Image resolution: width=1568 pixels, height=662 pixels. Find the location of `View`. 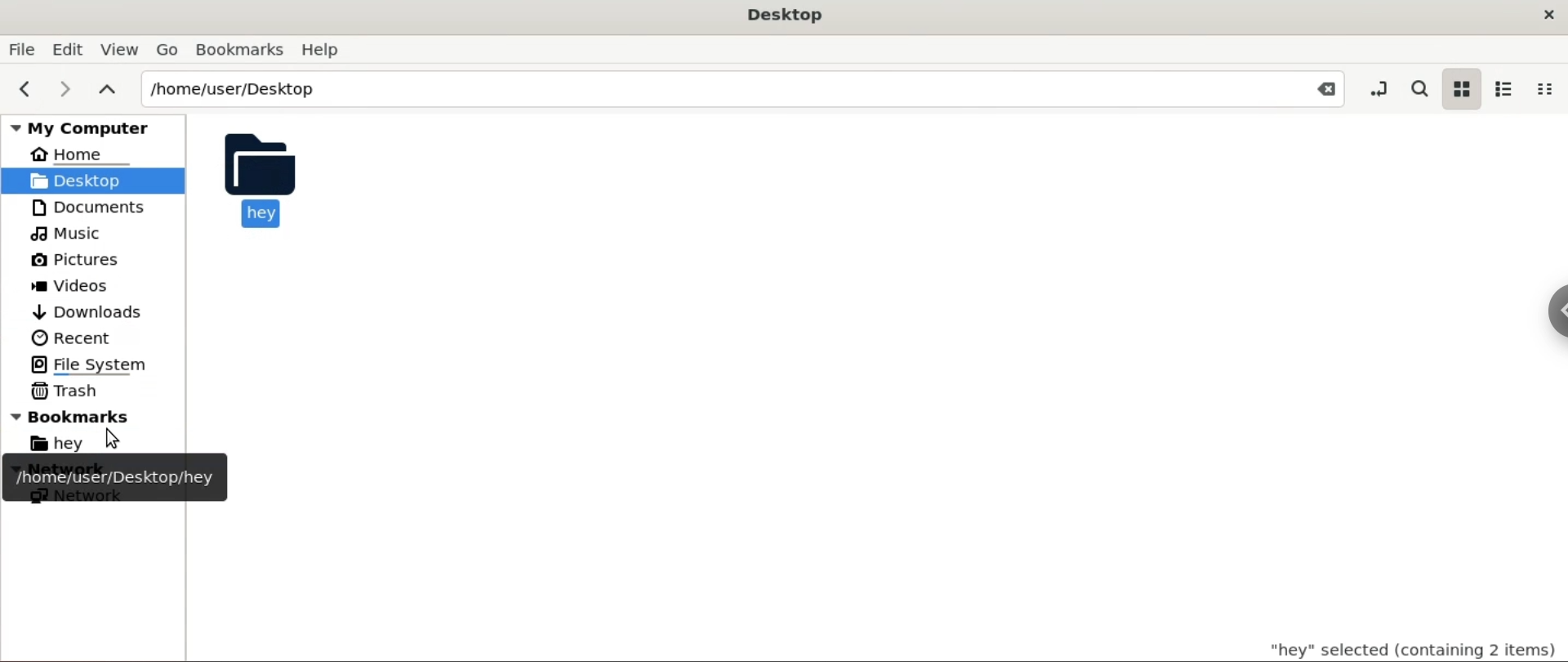

View is located at coordinates (121, 47).